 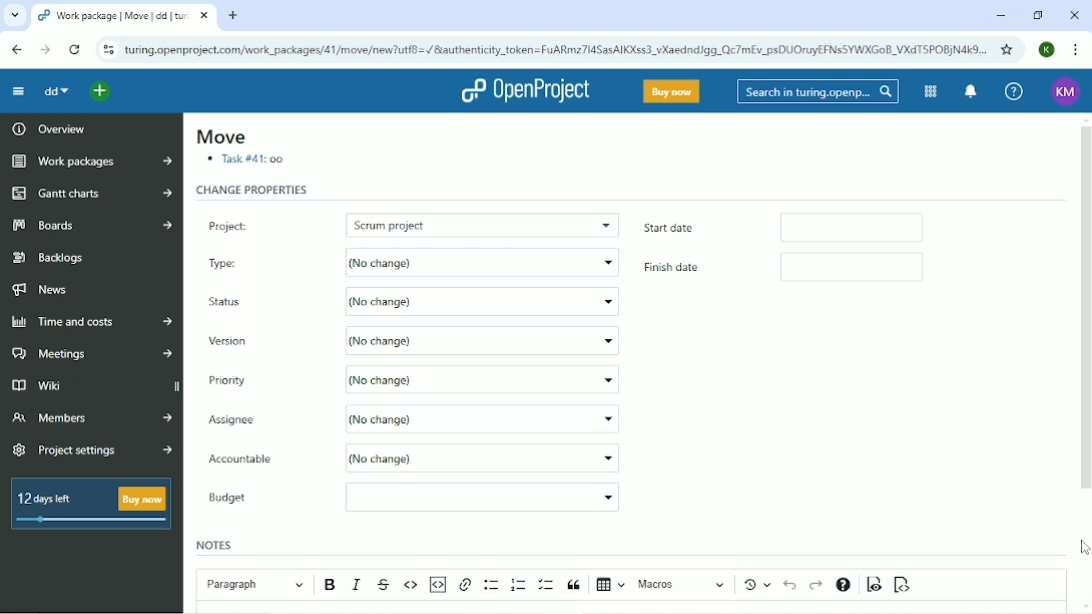 I want to click on Text formatting help, so click(x=843, y=586).